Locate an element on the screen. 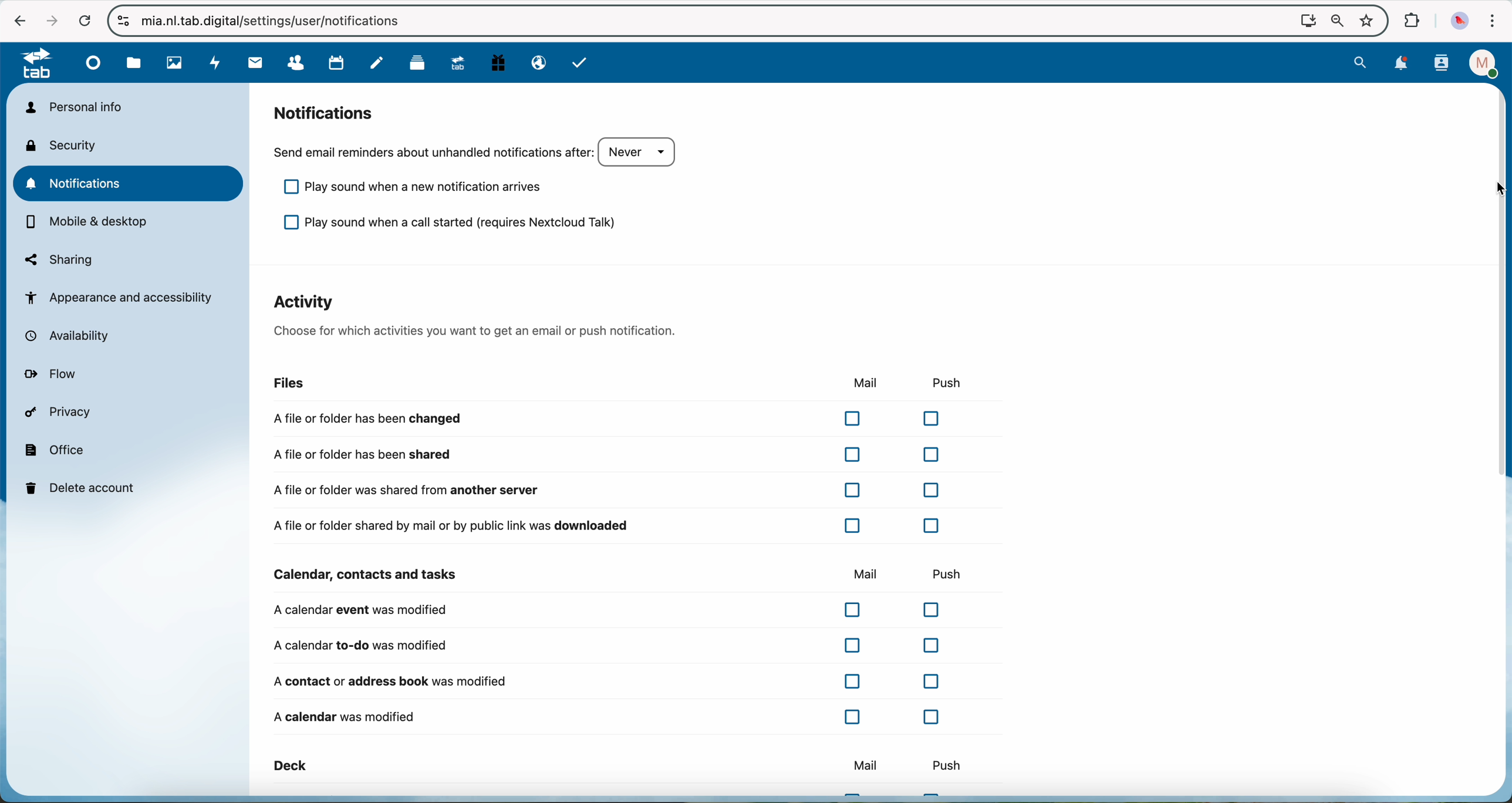  file is located at coordinates (134, 63).